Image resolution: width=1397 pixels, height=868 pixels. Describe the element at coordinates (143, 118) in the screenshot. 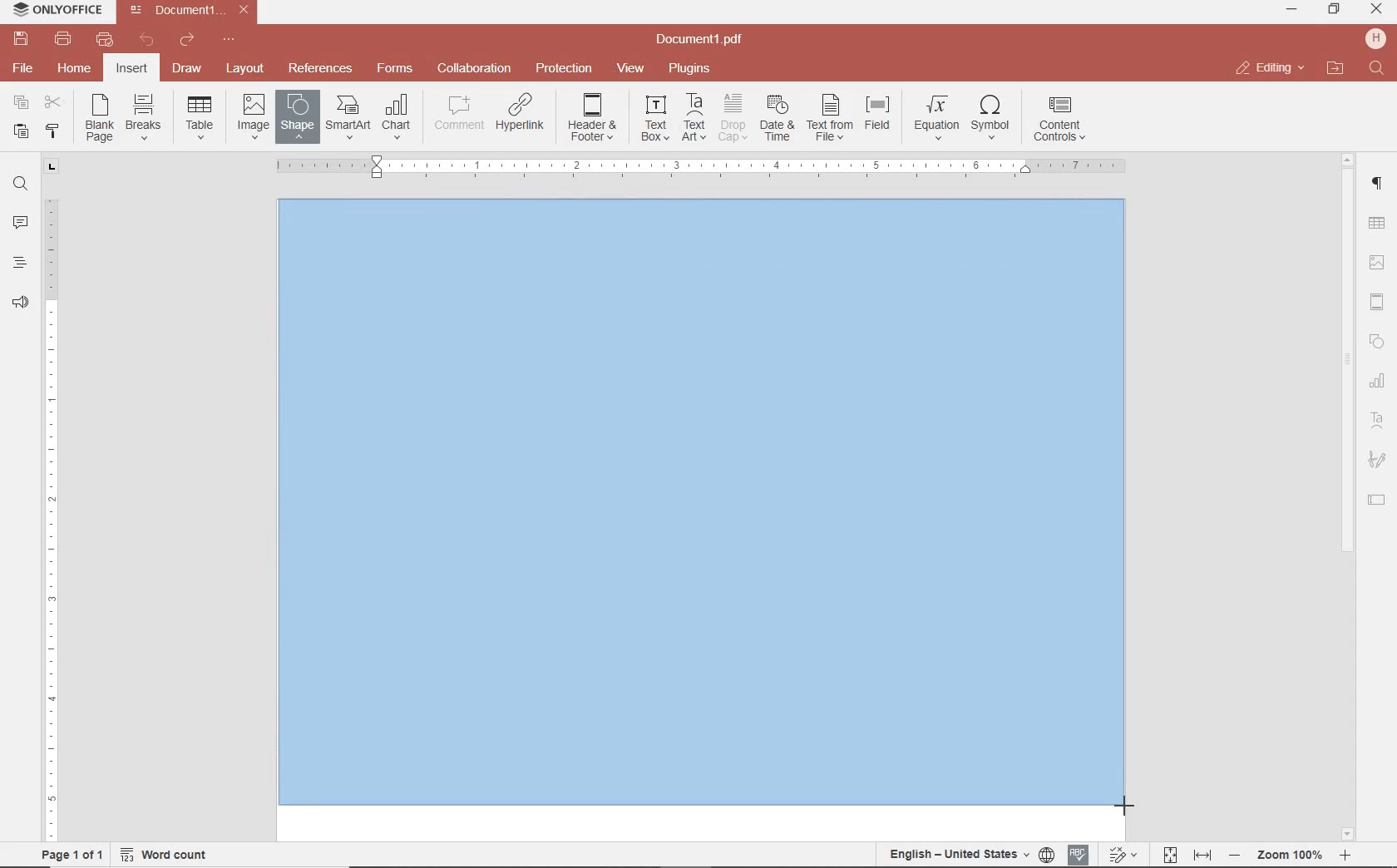

I see `INSERT PAGE OR SECTION BREAK` at that location.